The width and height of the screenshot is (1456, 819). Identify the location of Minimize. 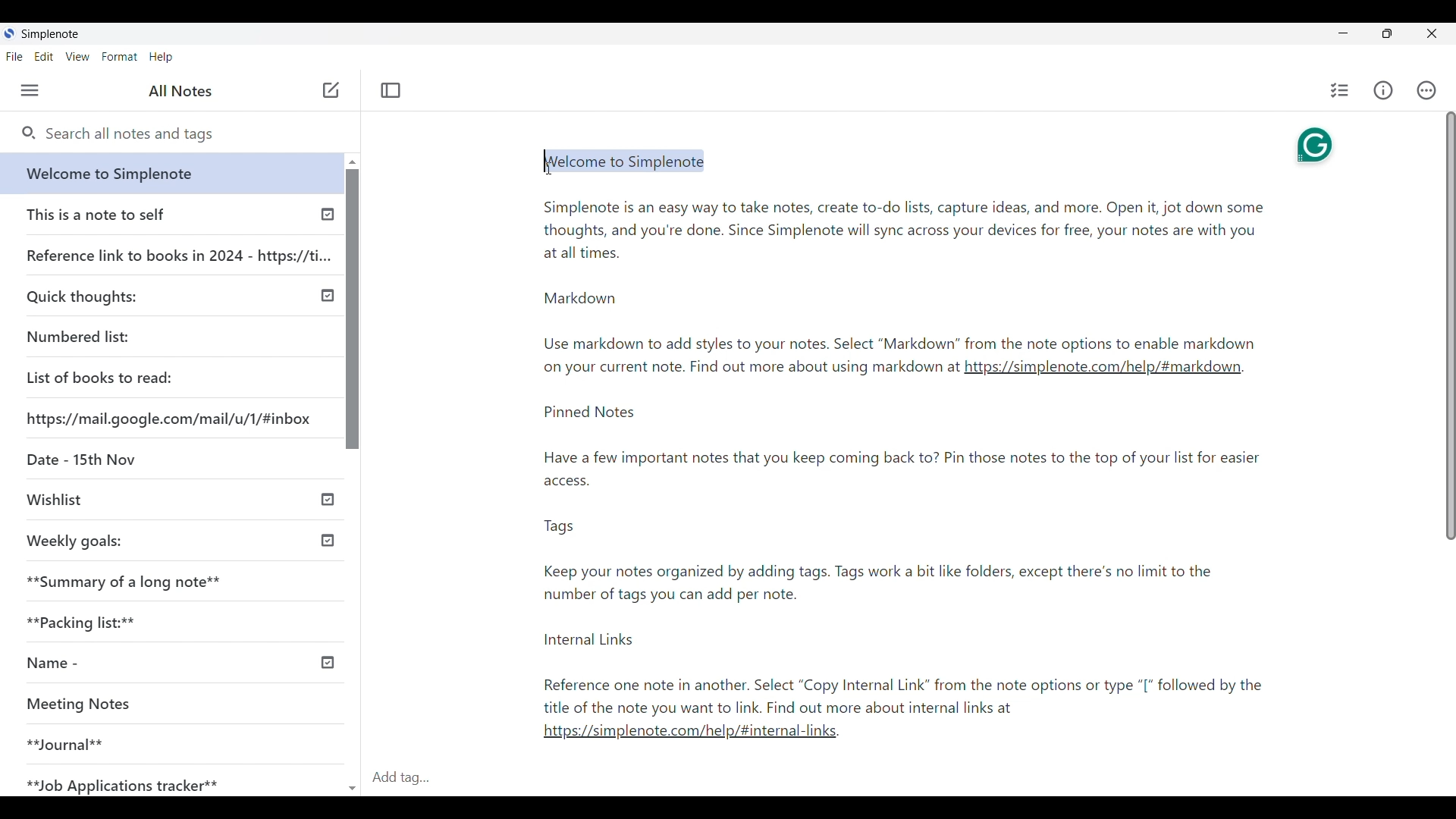
(1343, 33).